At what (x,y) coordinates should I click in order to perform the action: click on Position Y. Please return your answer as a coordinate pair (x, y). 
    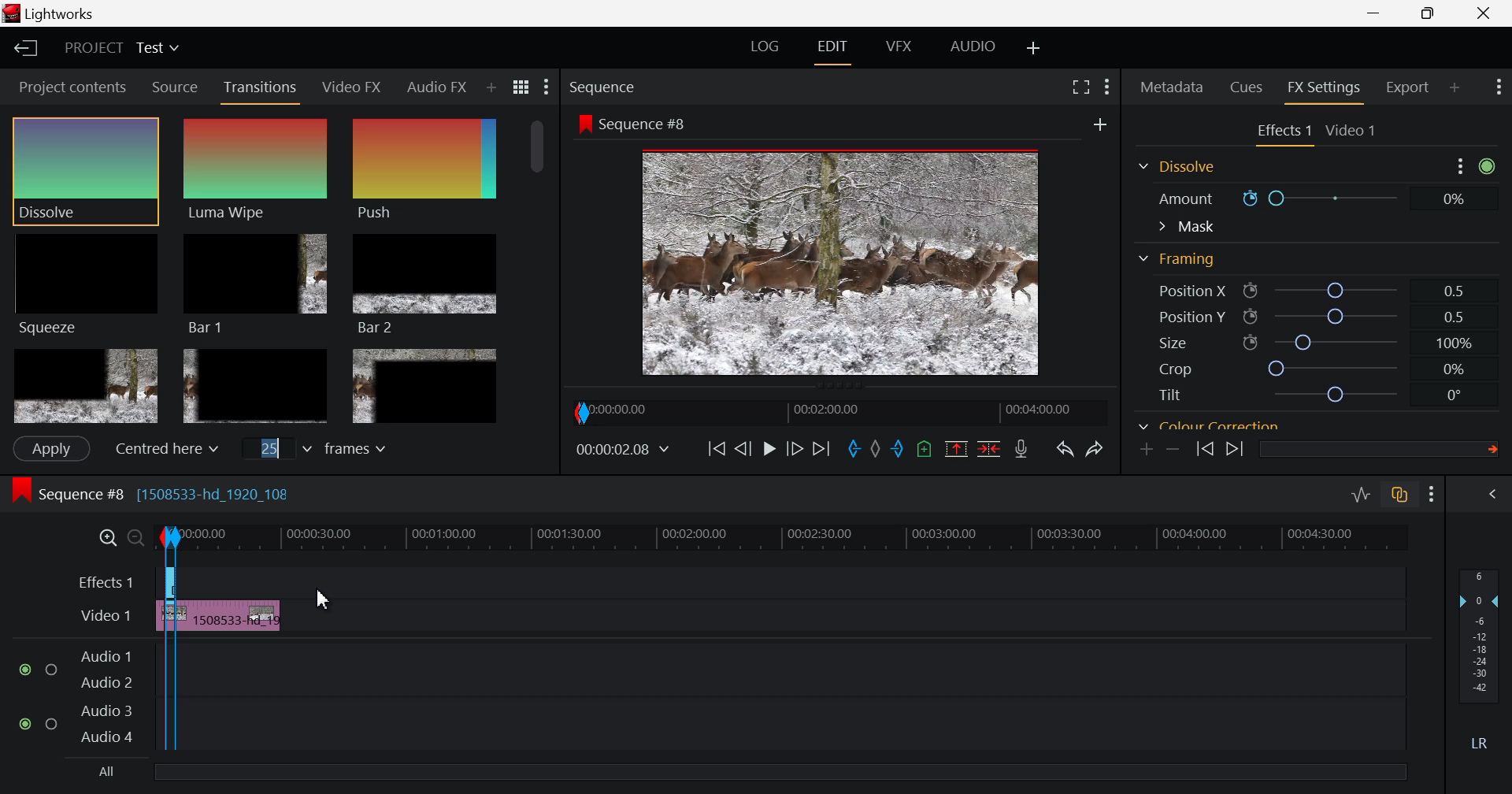
    Looking at the image, I should click on (1304, 224).